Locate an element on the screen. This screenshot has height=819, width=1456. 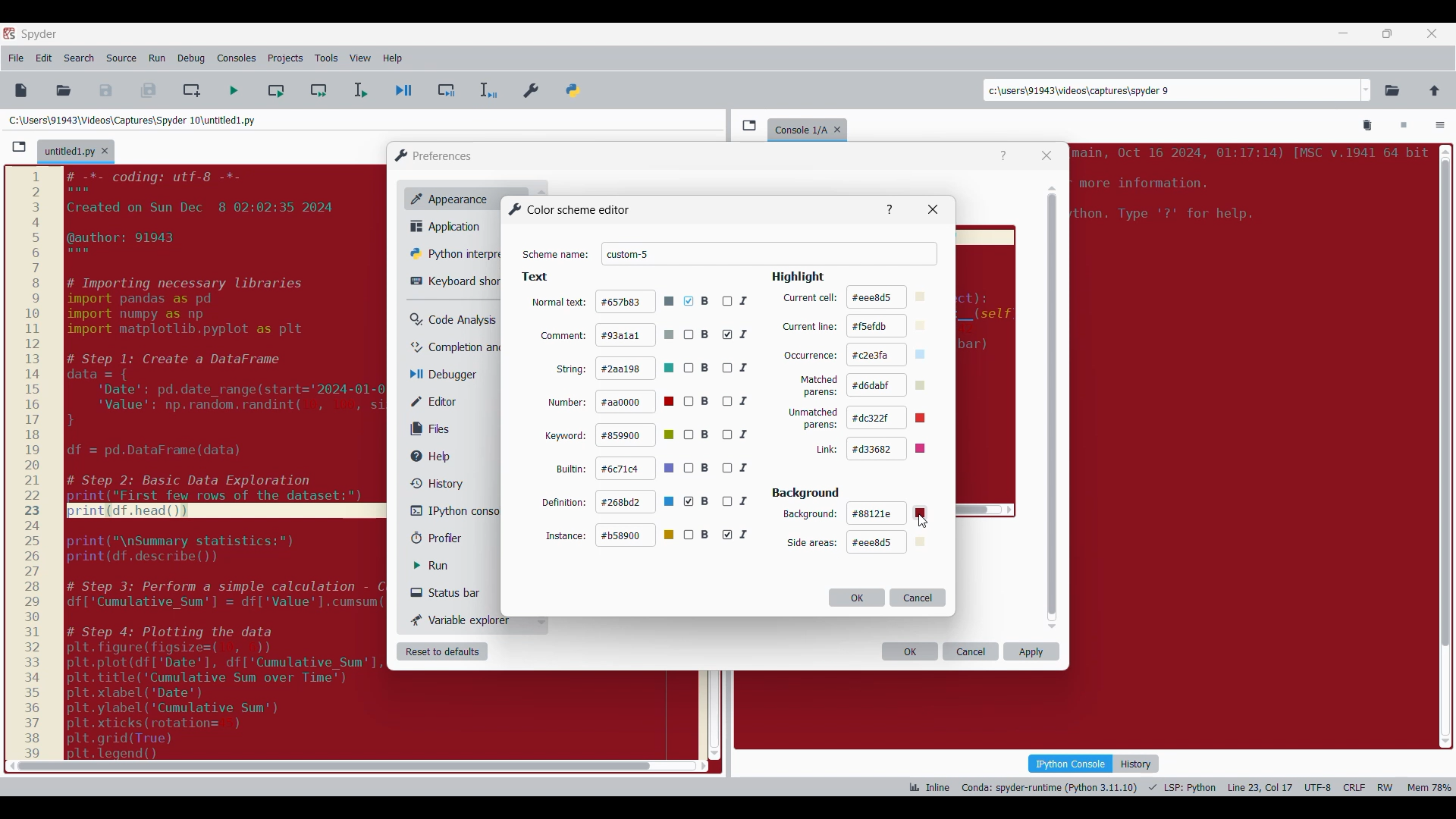
#eee8d5 is located at coordinates (888, 296).